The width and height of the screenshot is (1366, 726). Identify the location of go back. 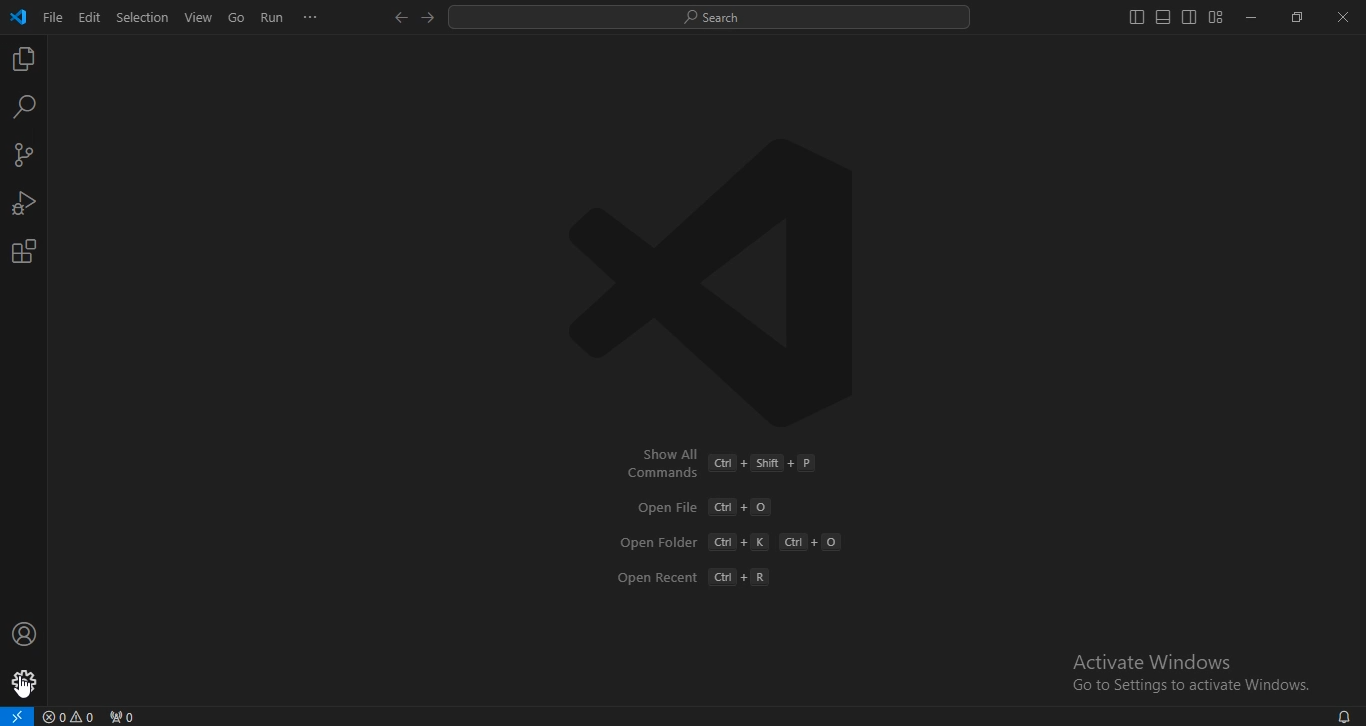
(400, 18).